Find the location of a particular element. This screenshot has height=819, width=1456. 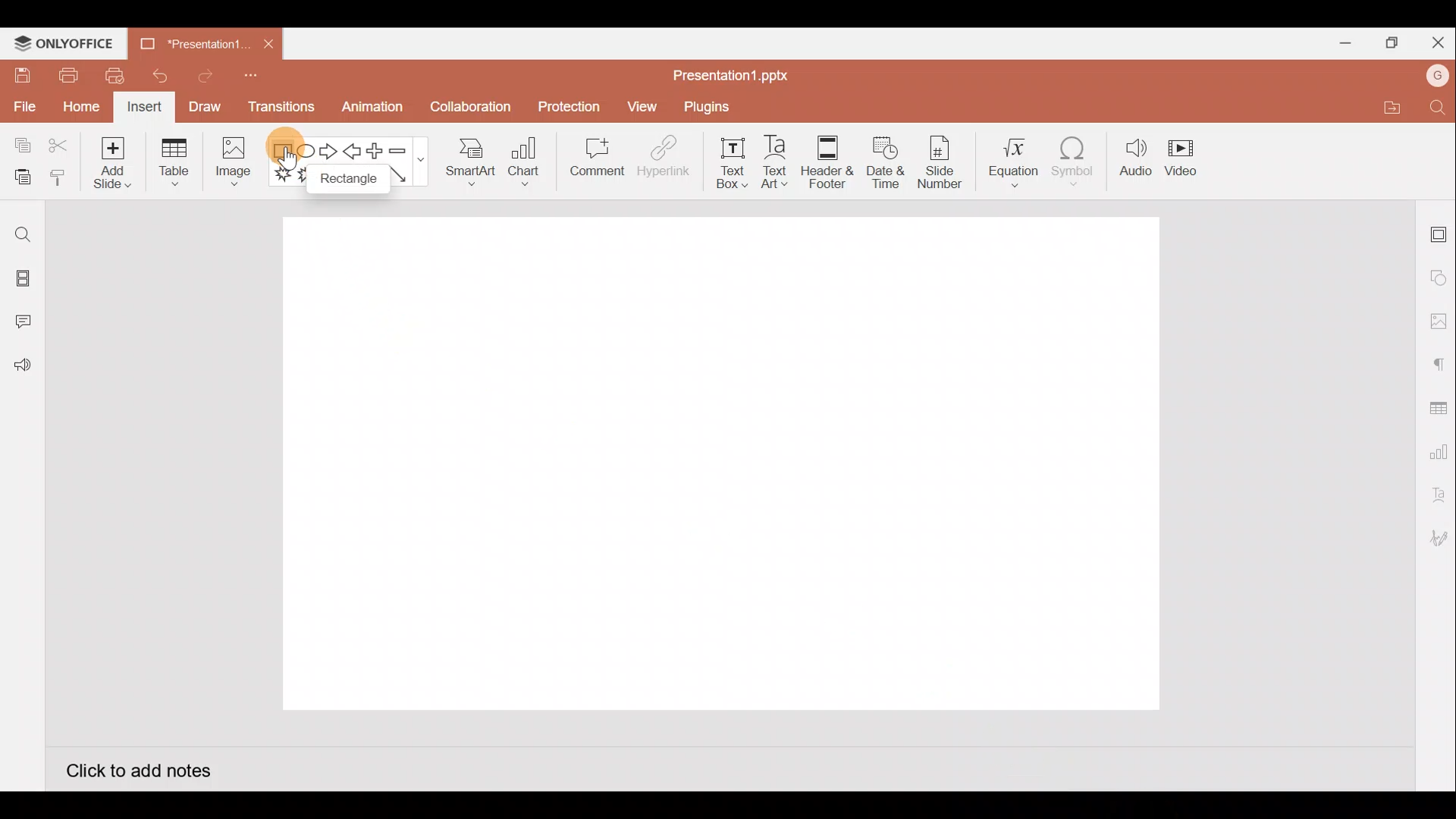

Plus is located at coordinates (378, 151).